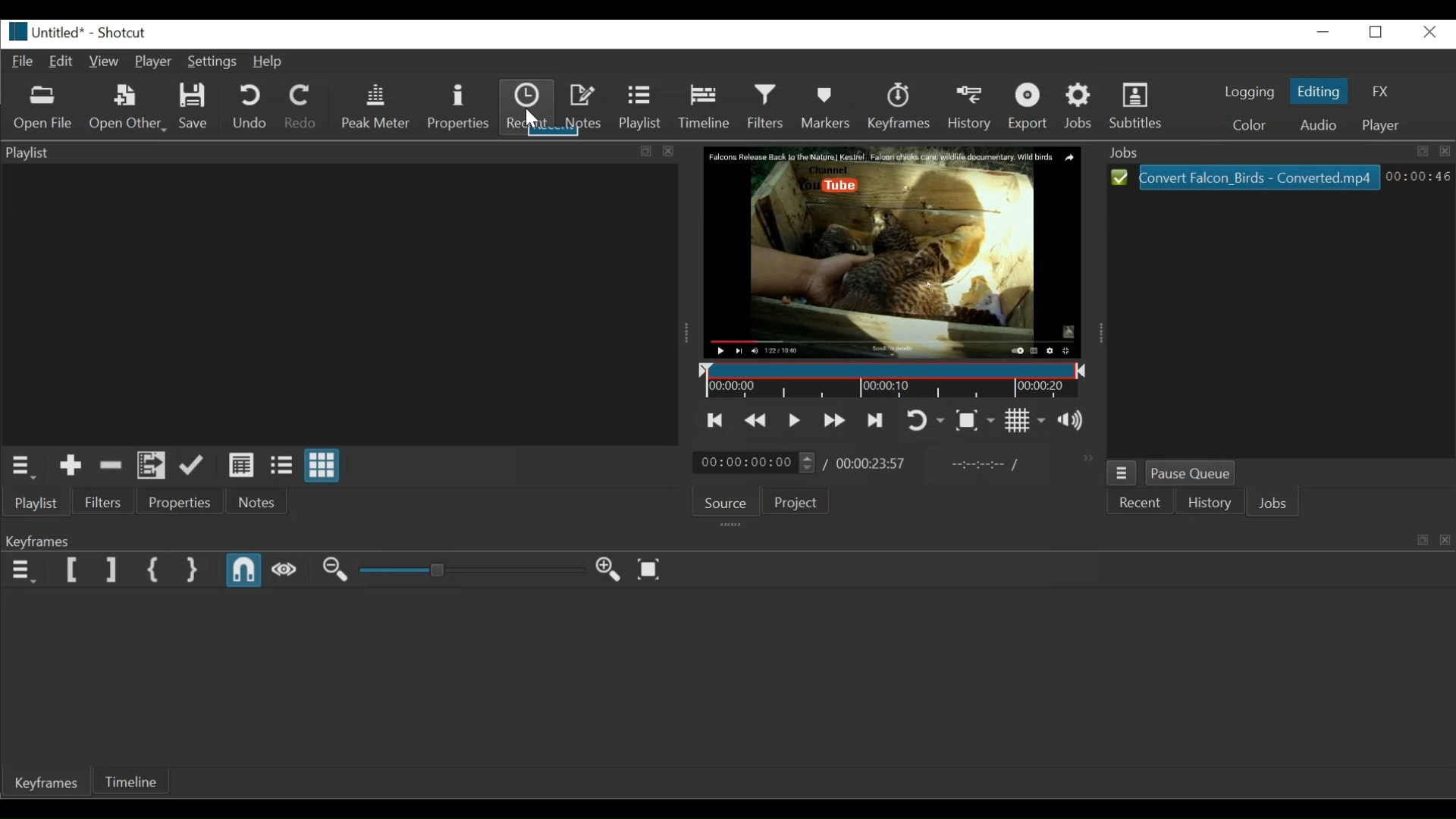 The width and height of the screenshot is (1456, 819). I want to click on Notes, so click(585, 105).